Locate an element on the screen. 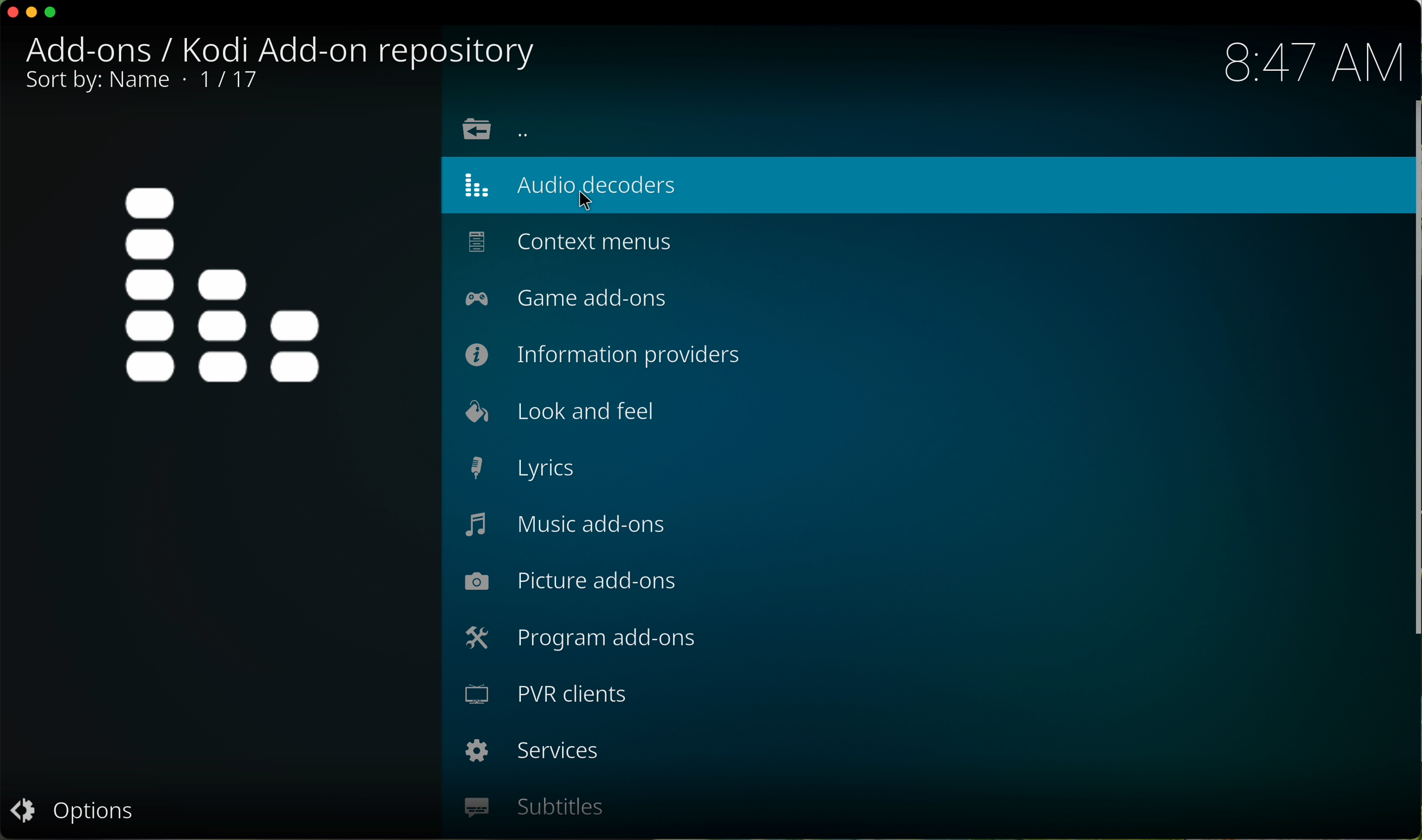  add-ons is located at coordinates (96, 49).